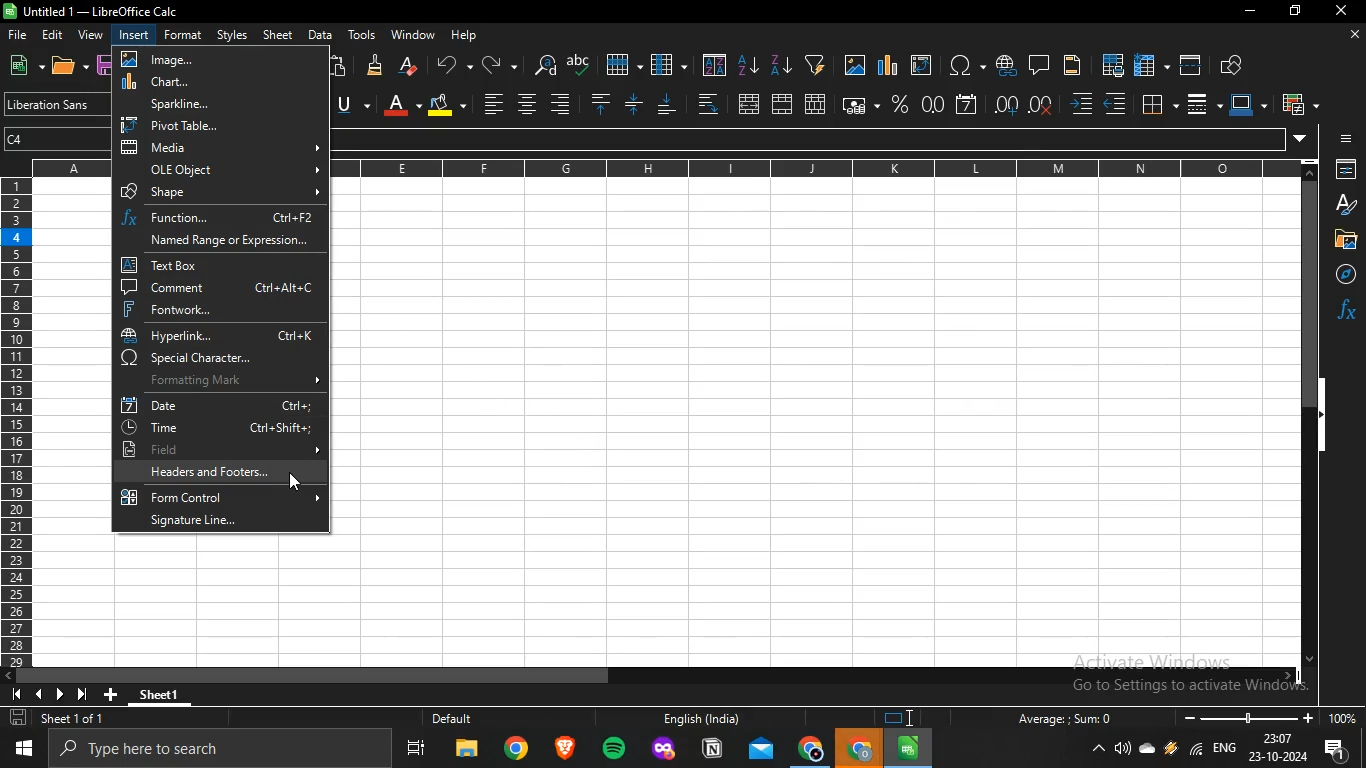  What do you see at coordinates (55, 693) in the screenshot?
I see `icon` at bounding box center [55, 693].